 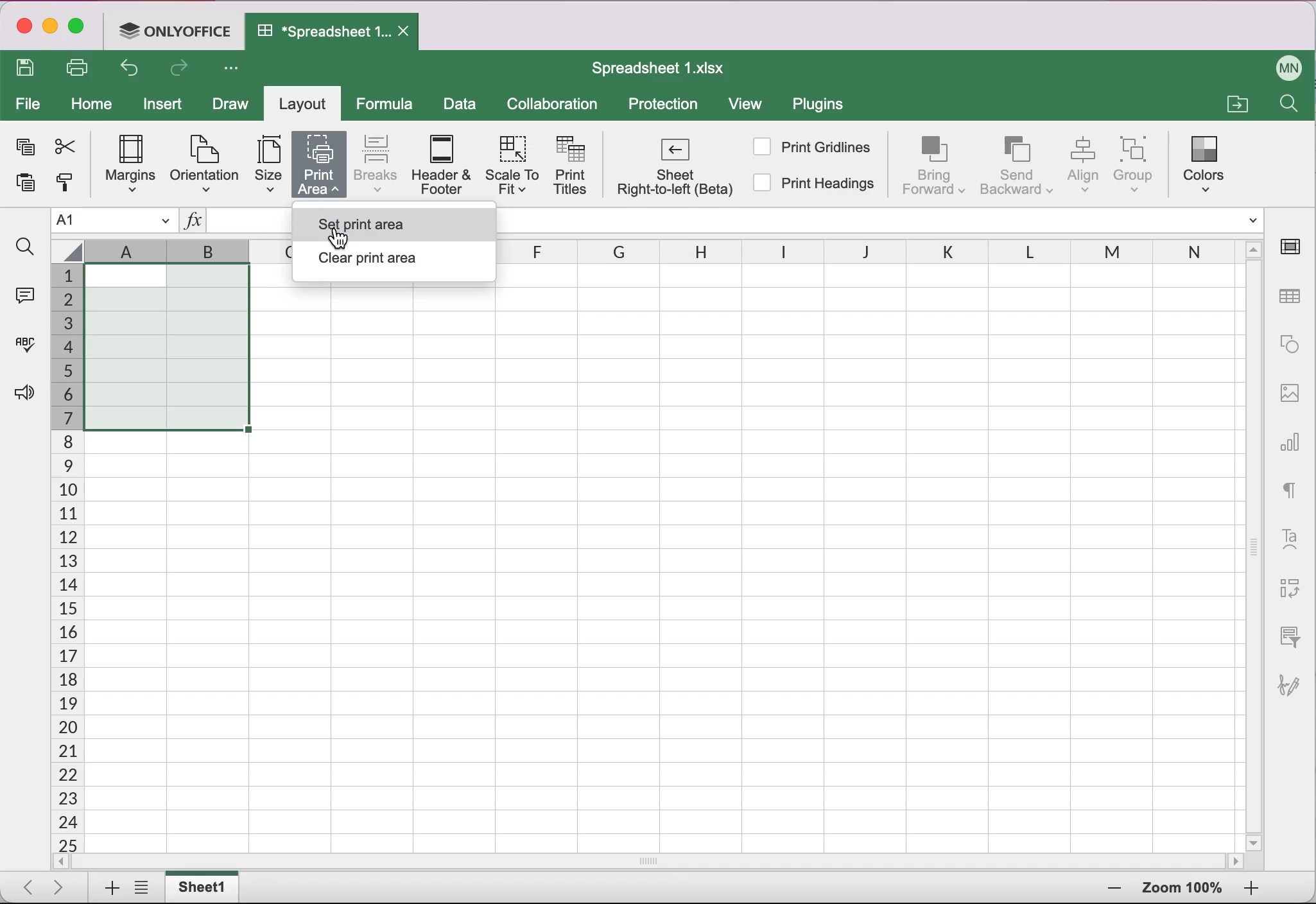 What do you see at coordinates (1290, 391) in the screenshot?
I see `image` at bounding box center [1290, 391].